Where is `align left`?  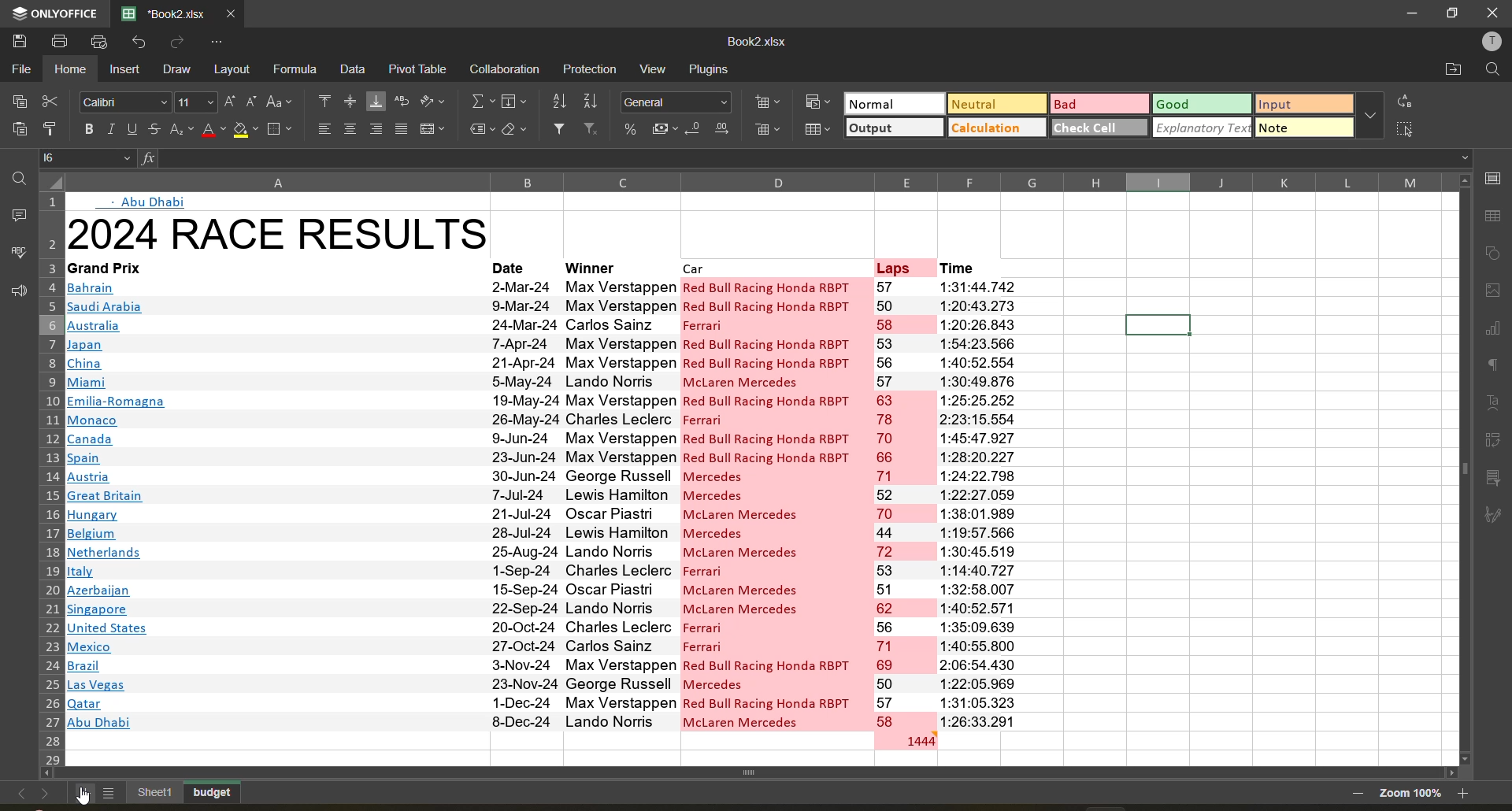
align left is located at coordinates (325, 129).